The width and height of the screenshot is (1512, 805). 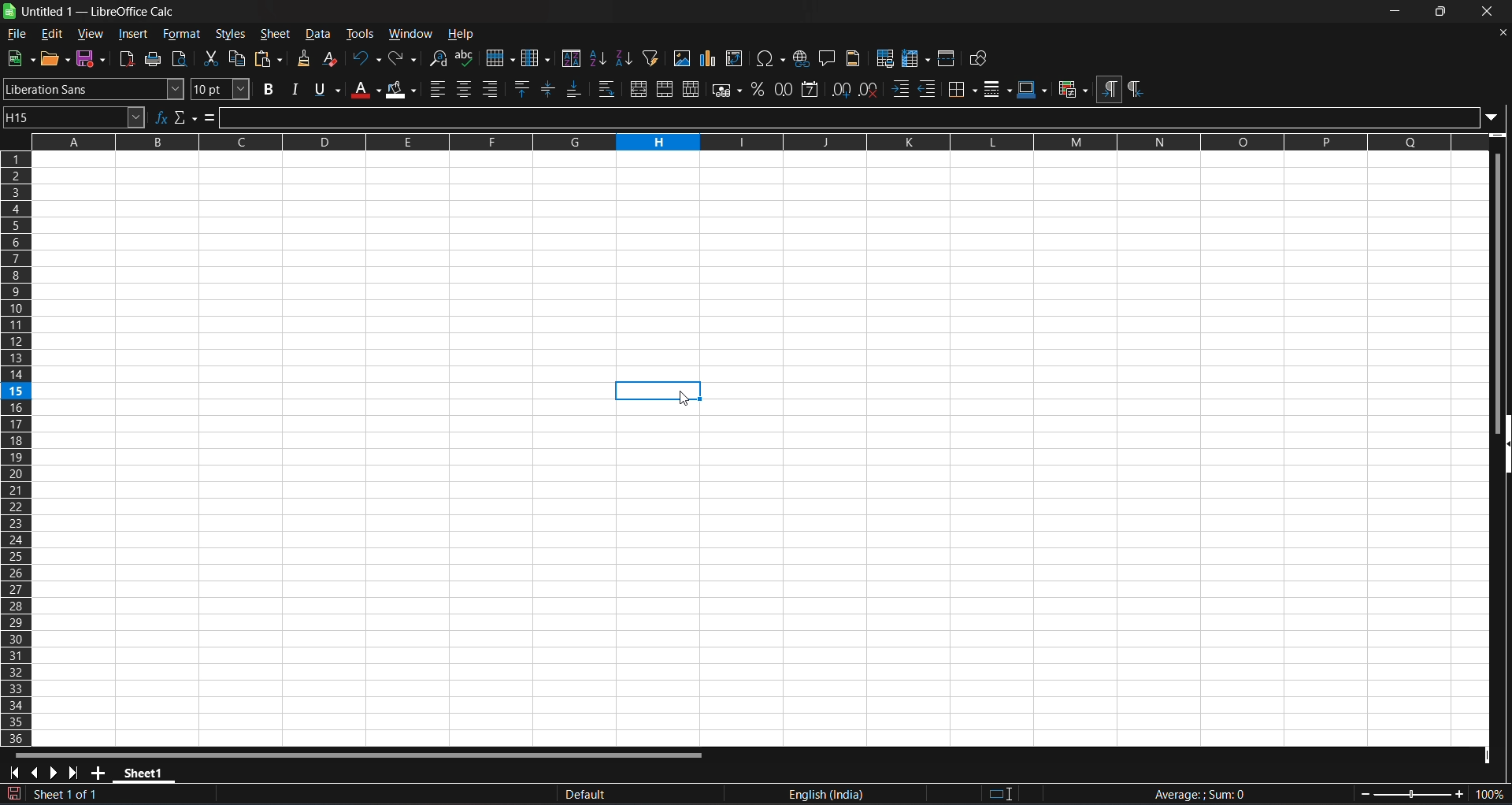 I want to click on insert image, so click(x=682, y=58).